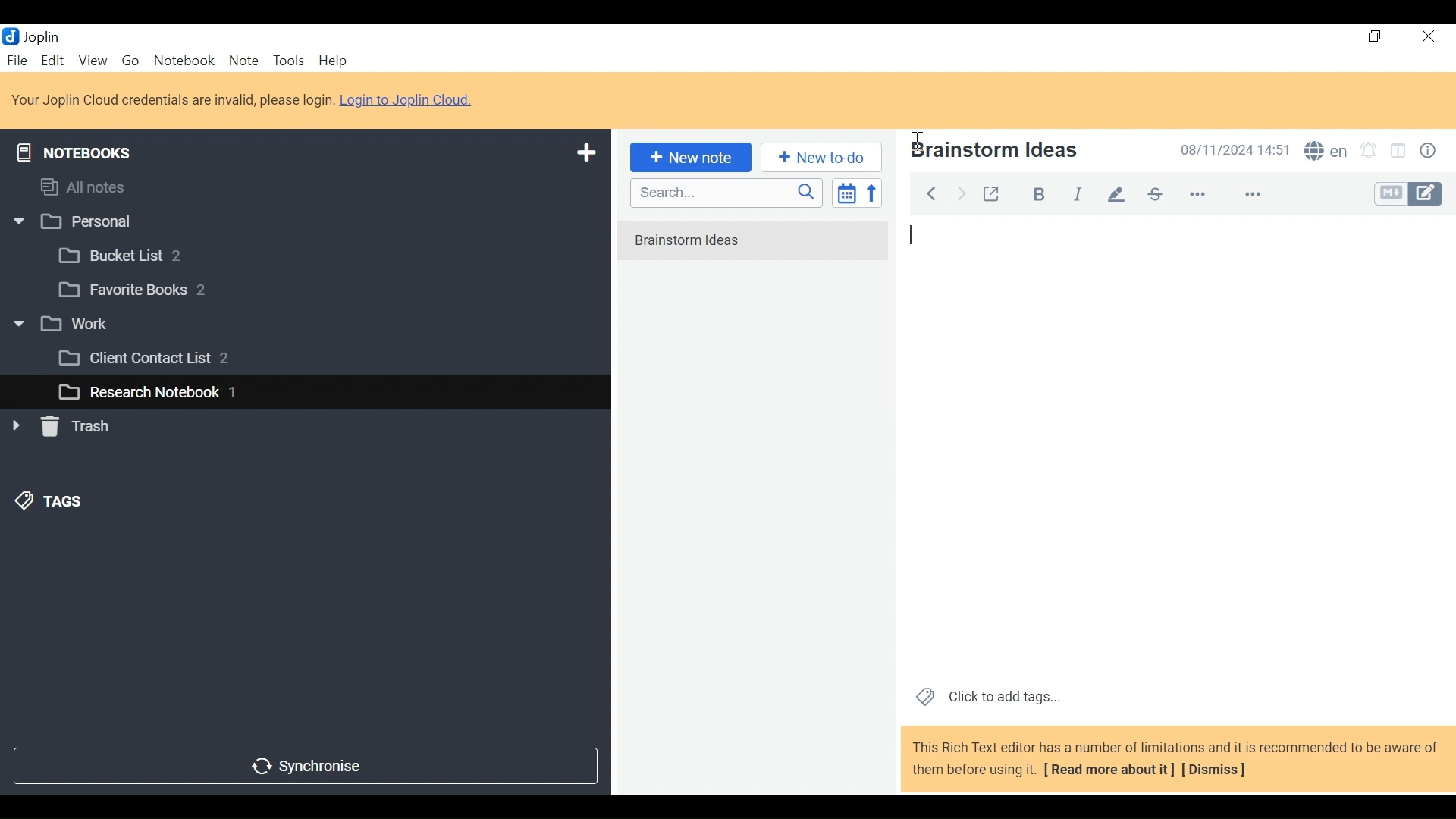  Describe the element at coordinates (1032, 192) in the screenshot. I see `Bold` at that location.